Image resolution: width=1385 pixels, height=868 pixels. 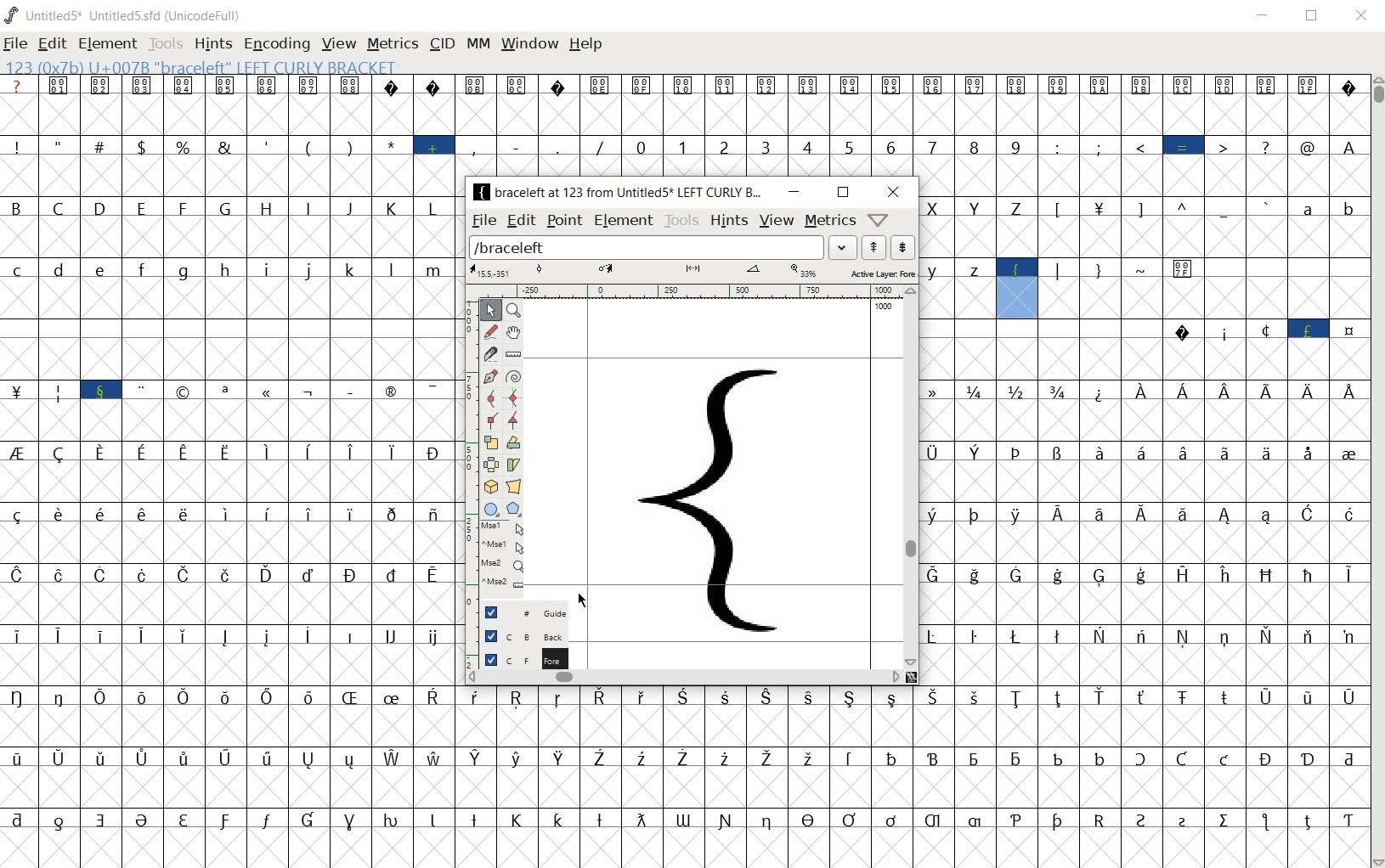 What do you see at coordinates (124, 16) in the screenshot?
I see `UNTITLED5* uNTITLED5.SFD (UnicodeFull)` at bounding box center [124, 16].